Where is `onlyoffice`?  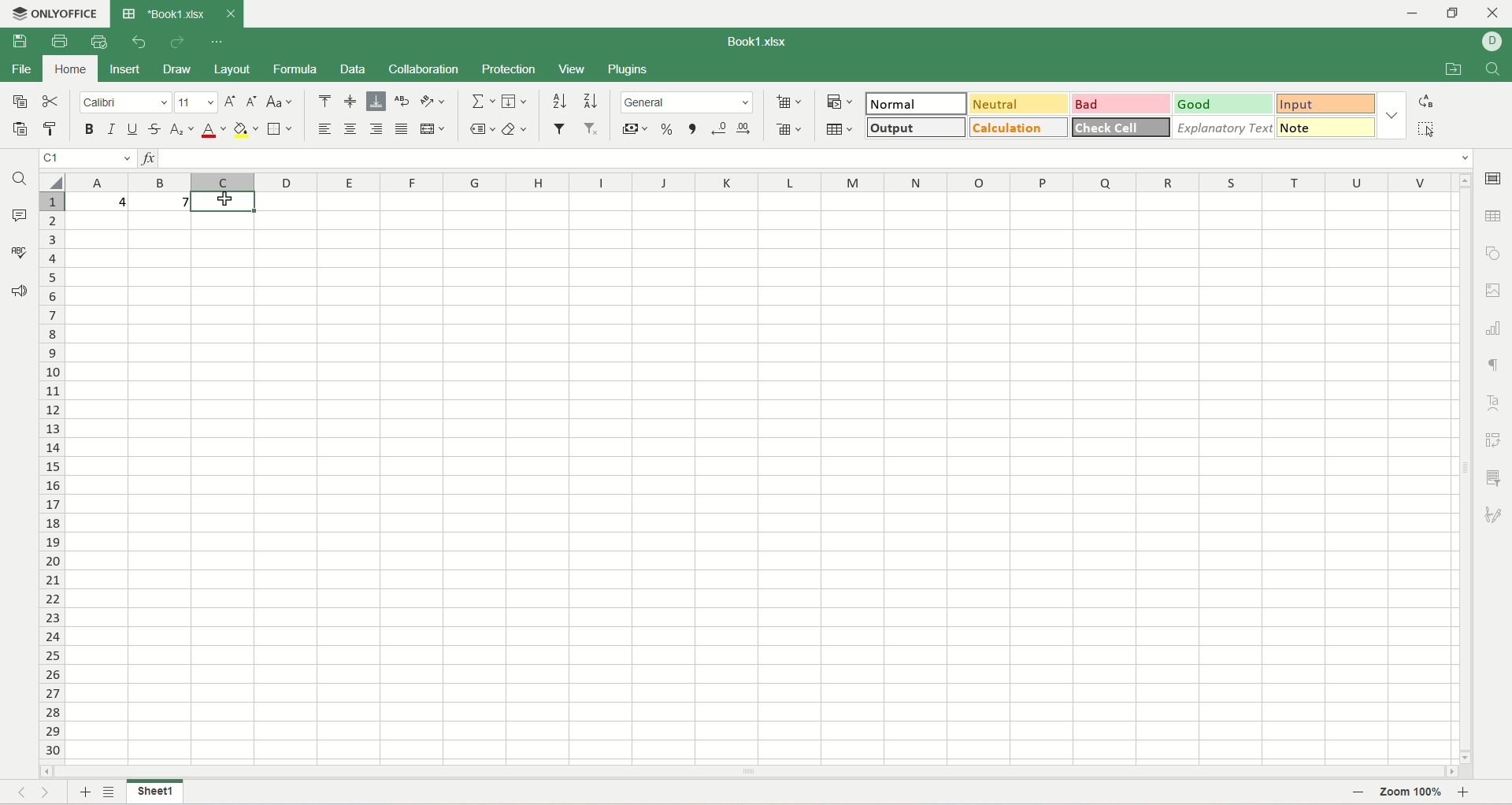
onlyoffice is located at coordinates (67, 11).